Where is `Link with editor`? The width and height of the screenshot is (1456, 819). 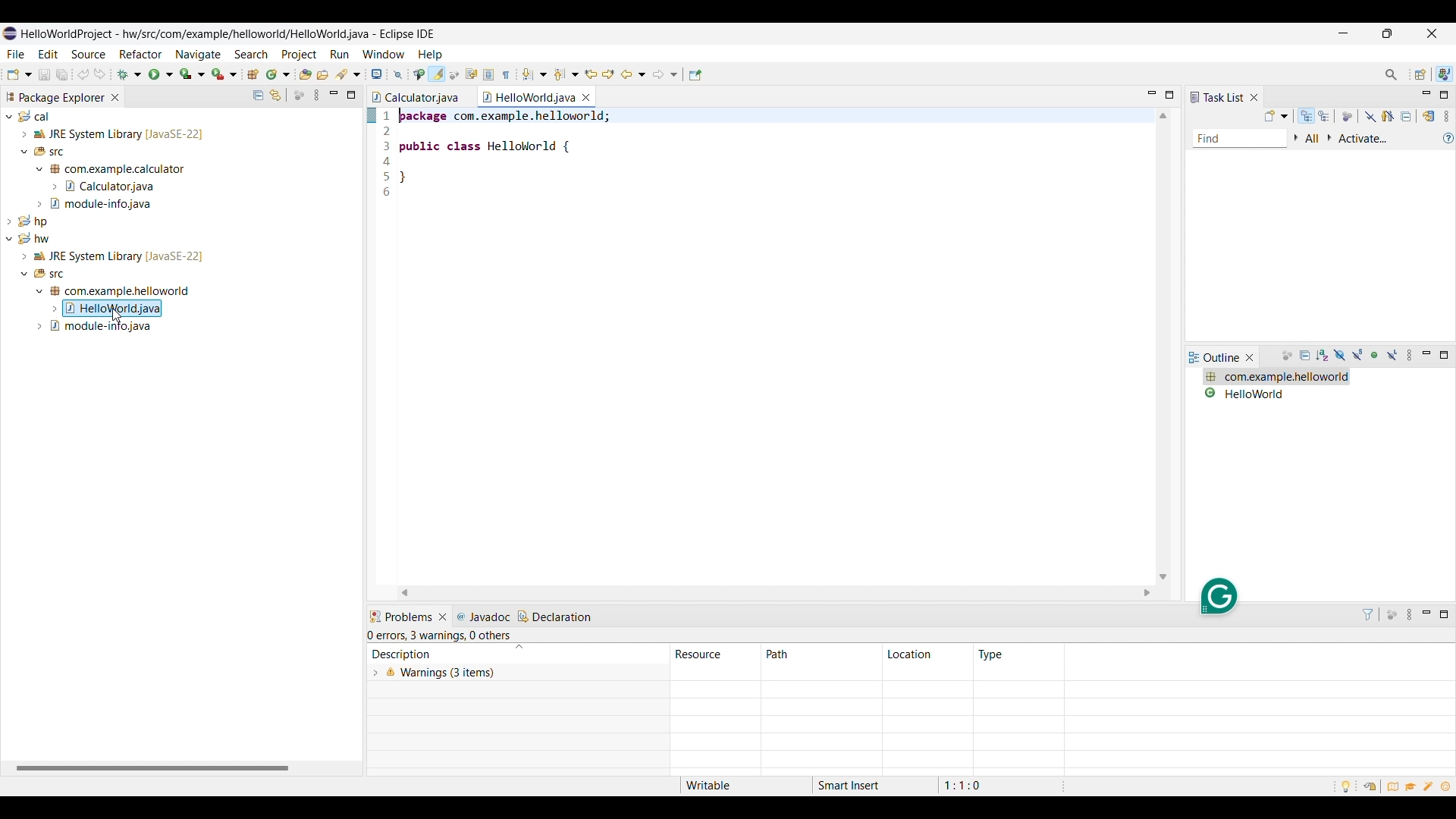 Link with editor is located at coordinates (275, 95).